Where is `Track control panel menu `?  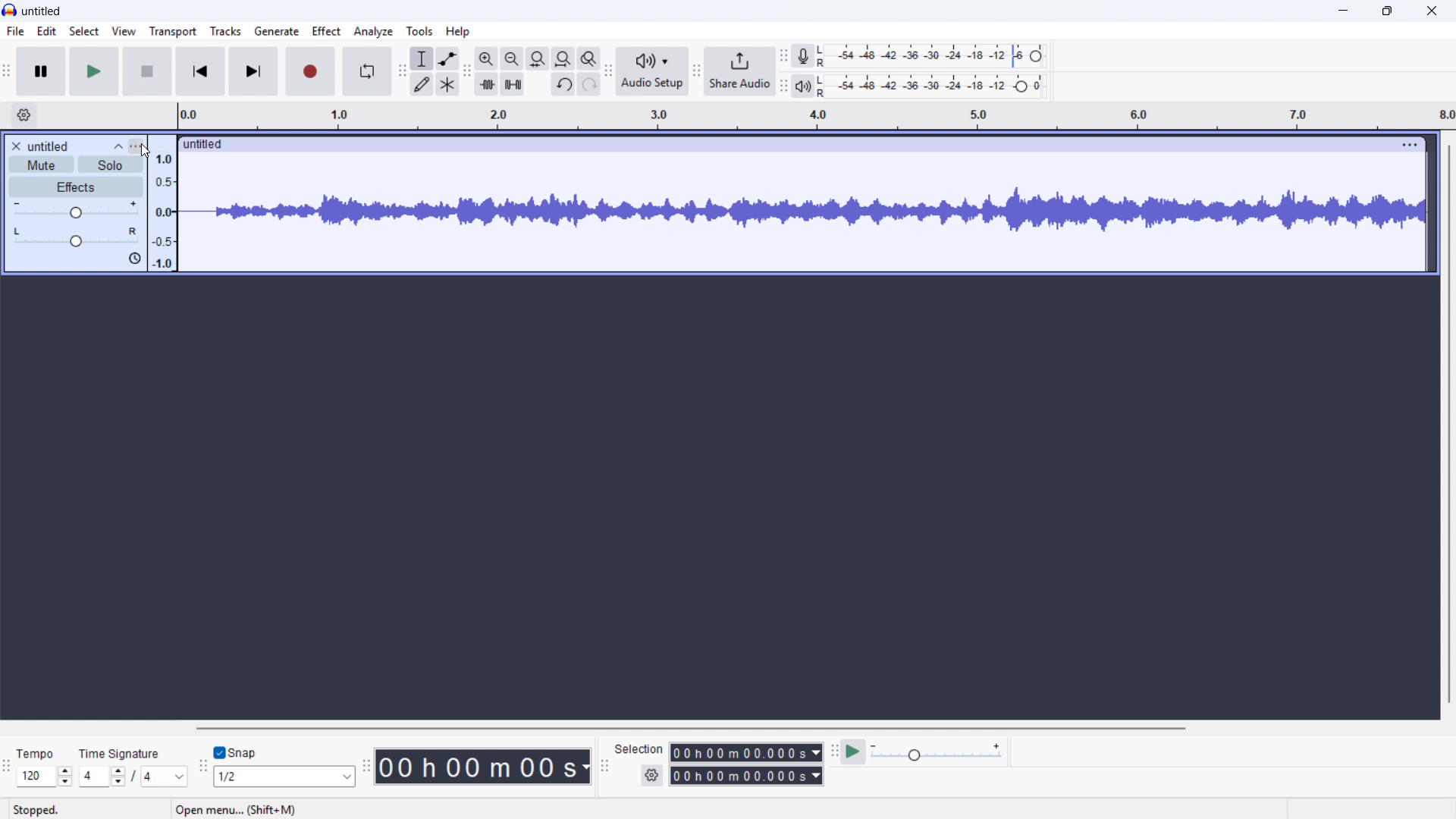 Track control panel menu  is located at coordinates (136, 146).